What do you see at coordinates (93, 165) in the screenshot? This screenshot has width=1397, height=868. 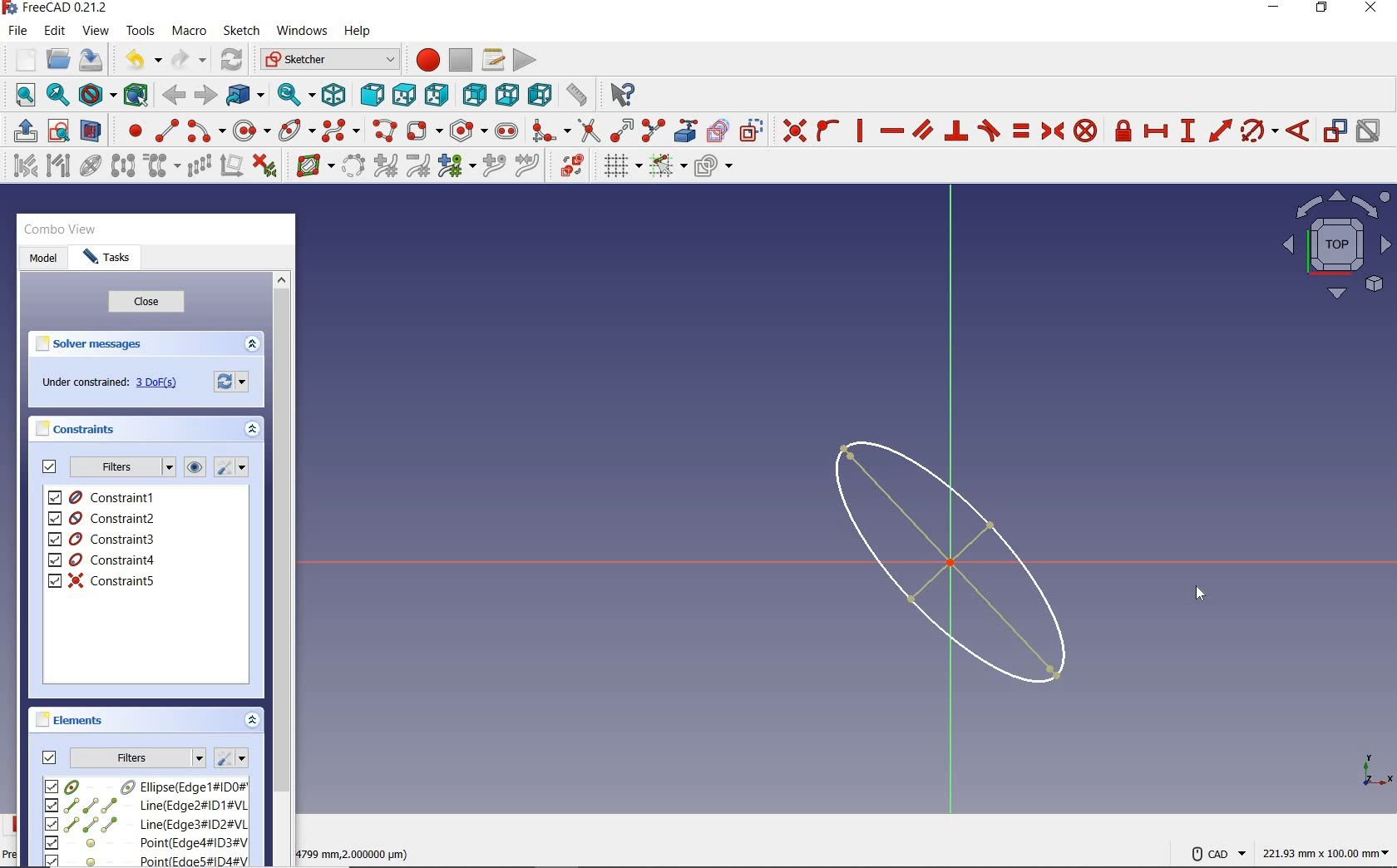 I see `show/hide internal geometry` at bounding box center [93, 165].